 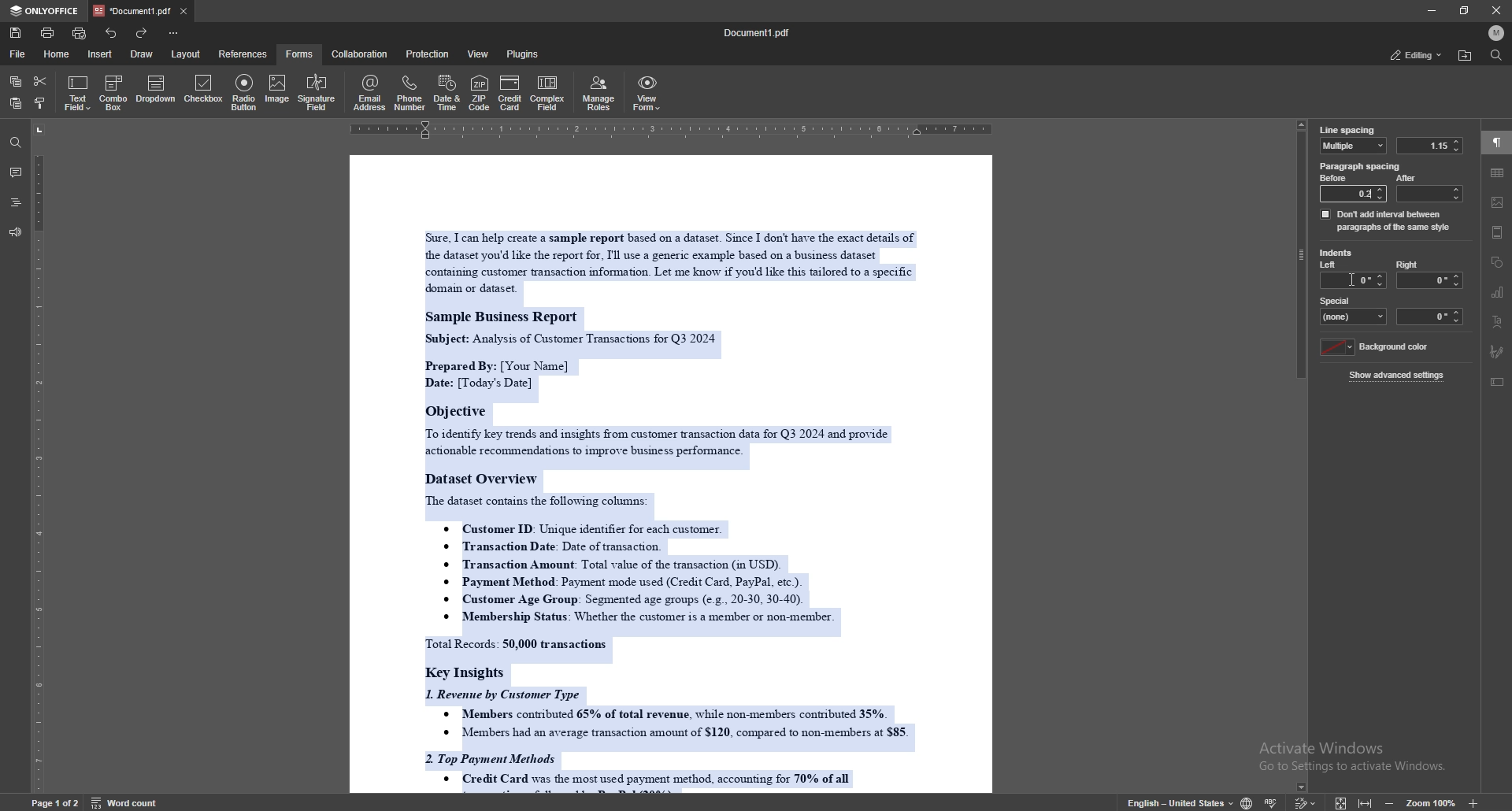 I want to click on close tab, so click(x=183, y=10).